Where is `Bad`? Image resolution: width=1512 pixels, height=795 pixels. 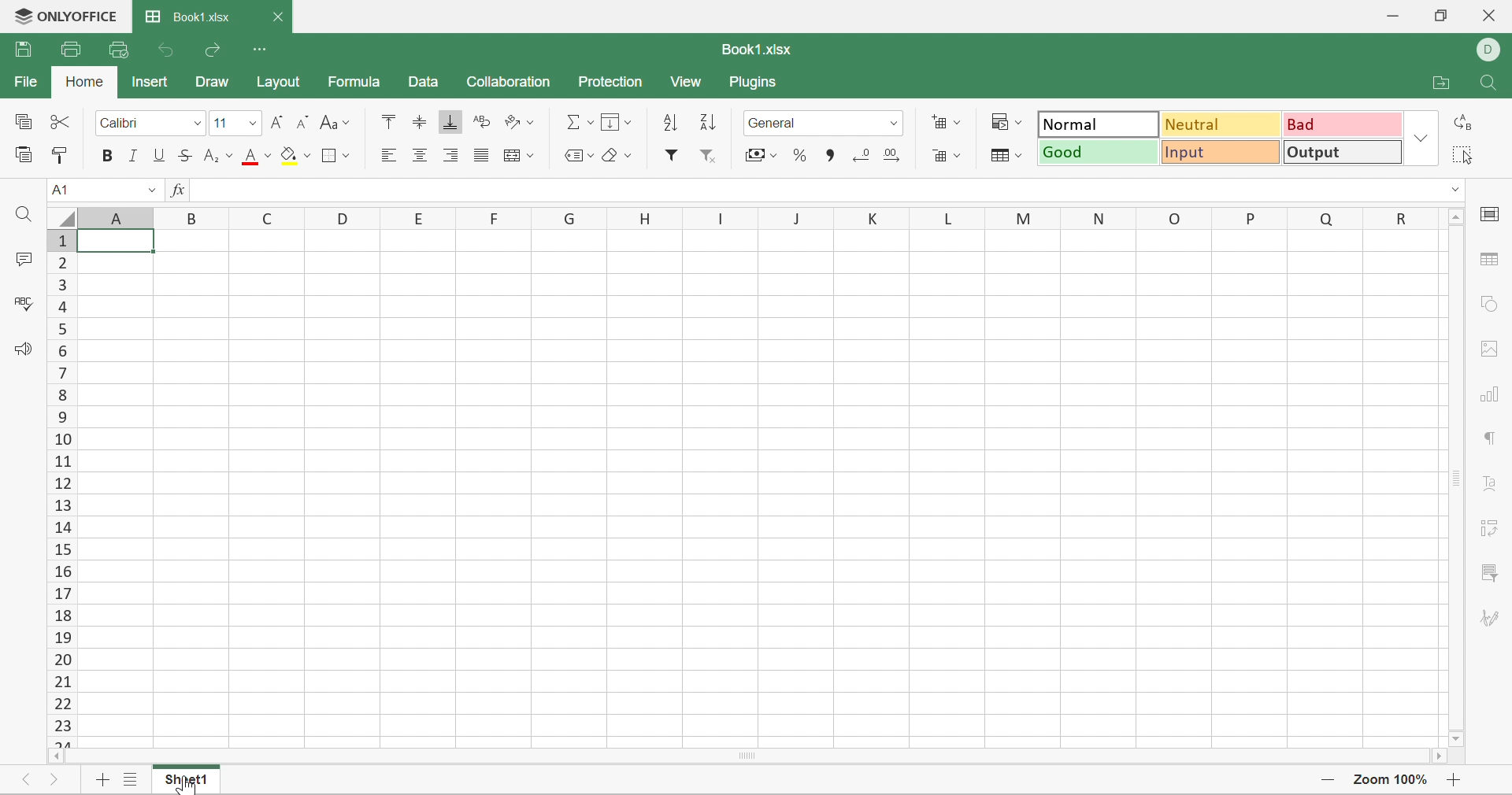
Bad is located at coordinates (1343, 124).